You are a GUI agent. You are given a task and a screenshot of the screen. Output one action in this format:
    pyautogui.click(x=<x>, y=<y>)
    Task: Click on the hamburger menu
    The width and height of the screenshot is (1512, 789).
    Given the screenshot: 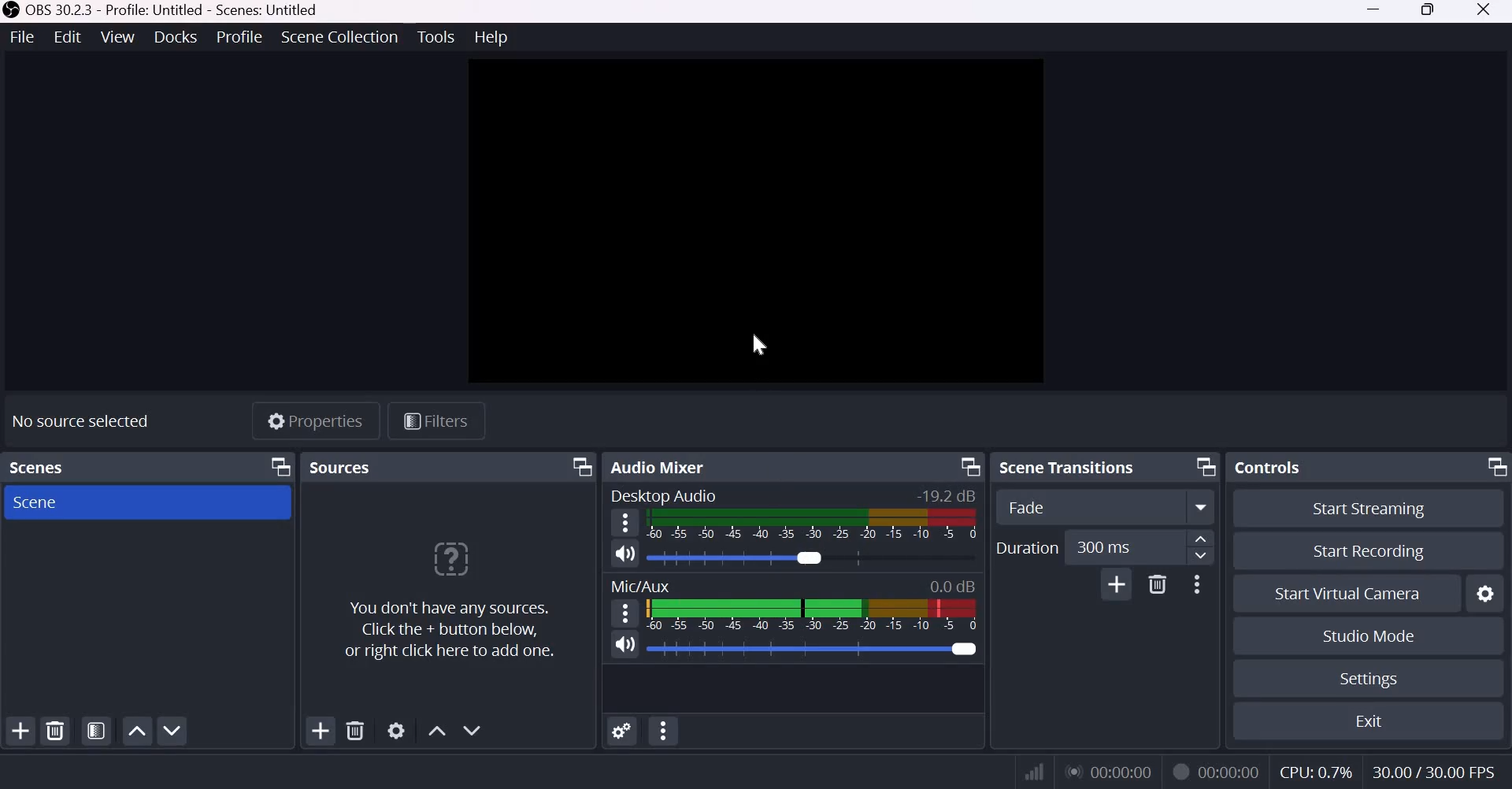 What is the action you would take?
    pyautogui.click(x=624, y=613)
    